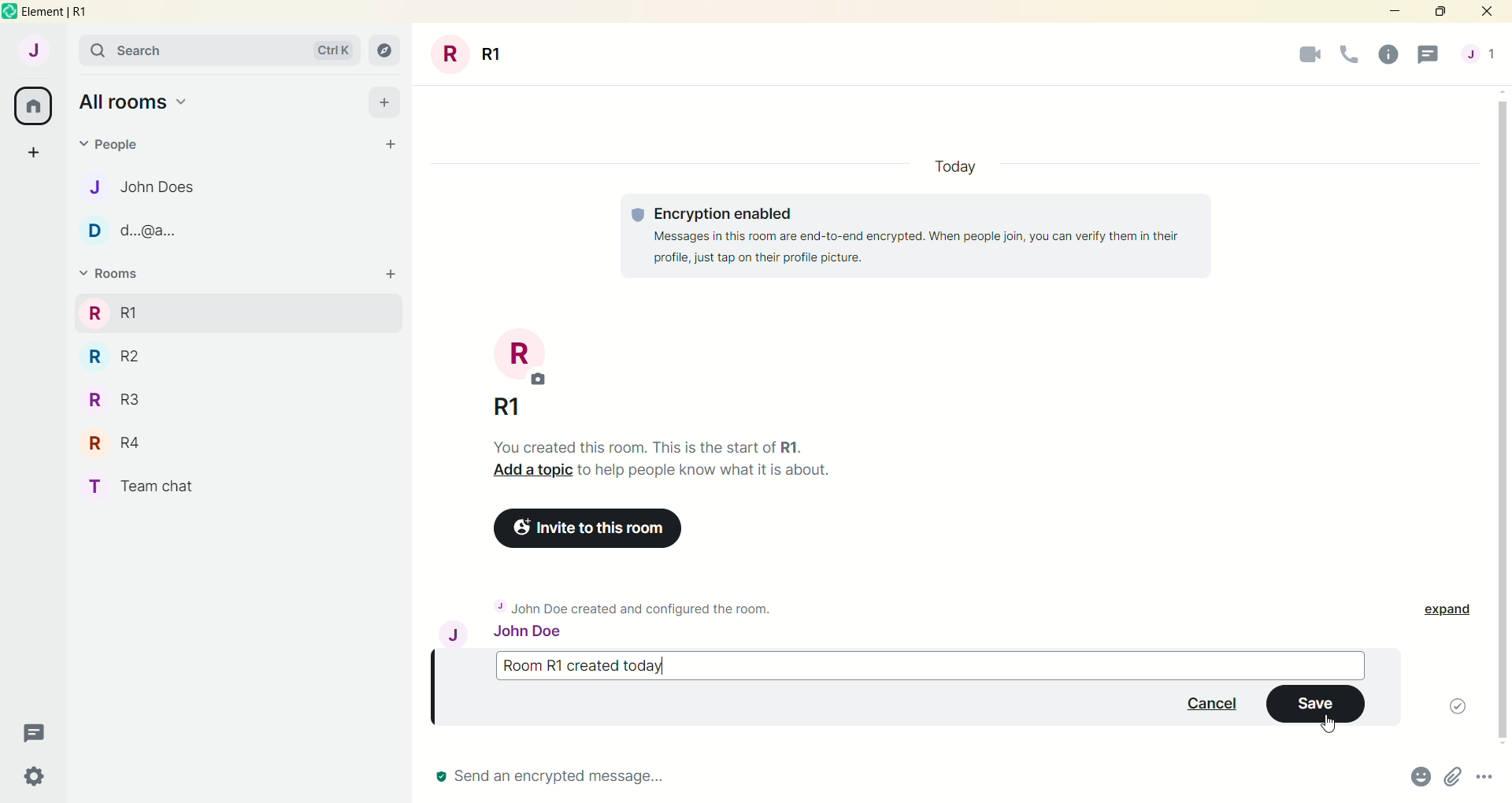  Describe the element at coordinates (122, 399) in the screenshot. I see `R R3` at that location.